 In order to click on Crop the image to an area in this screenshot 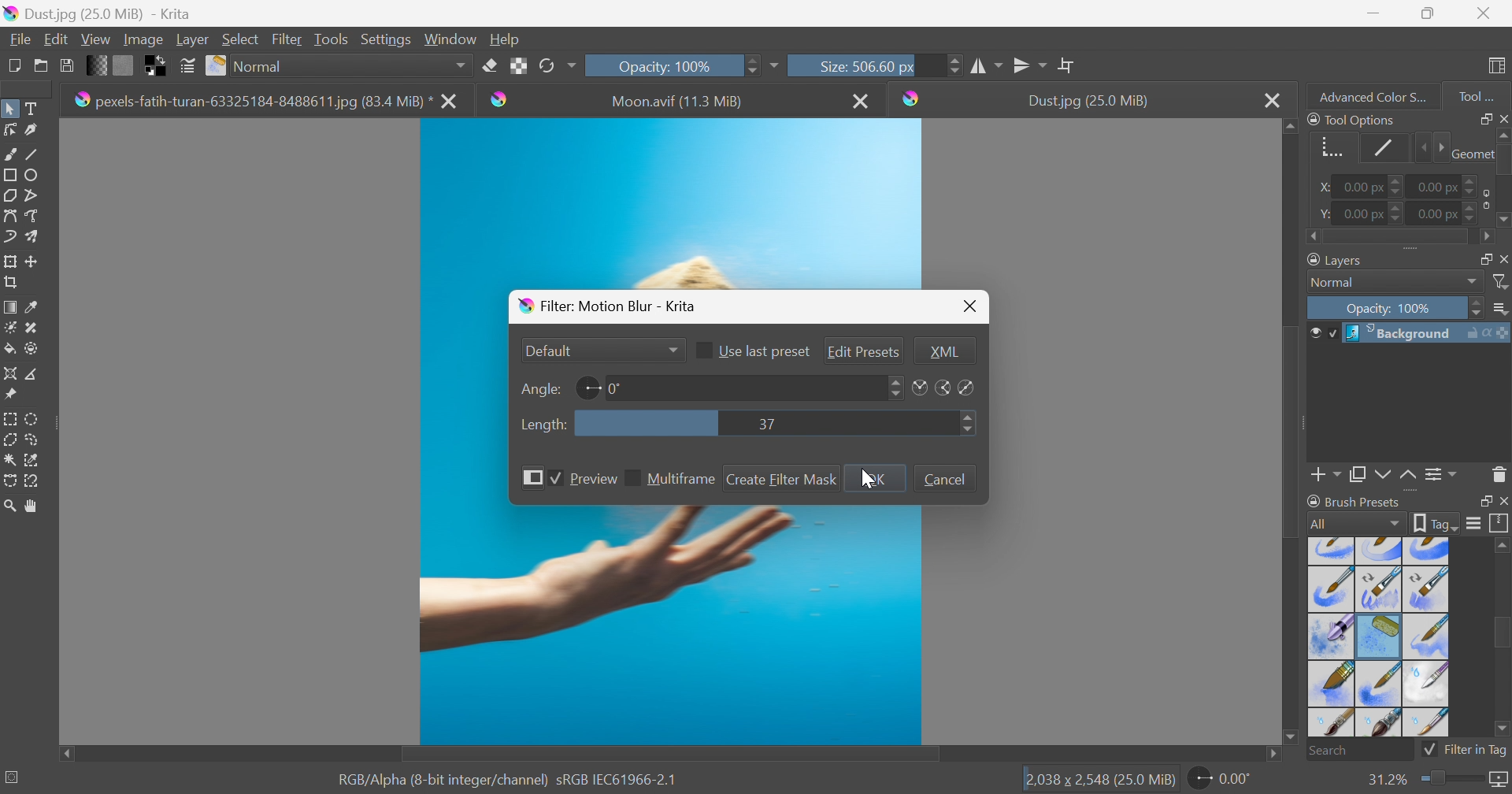, I will do `click(13, 284)`.